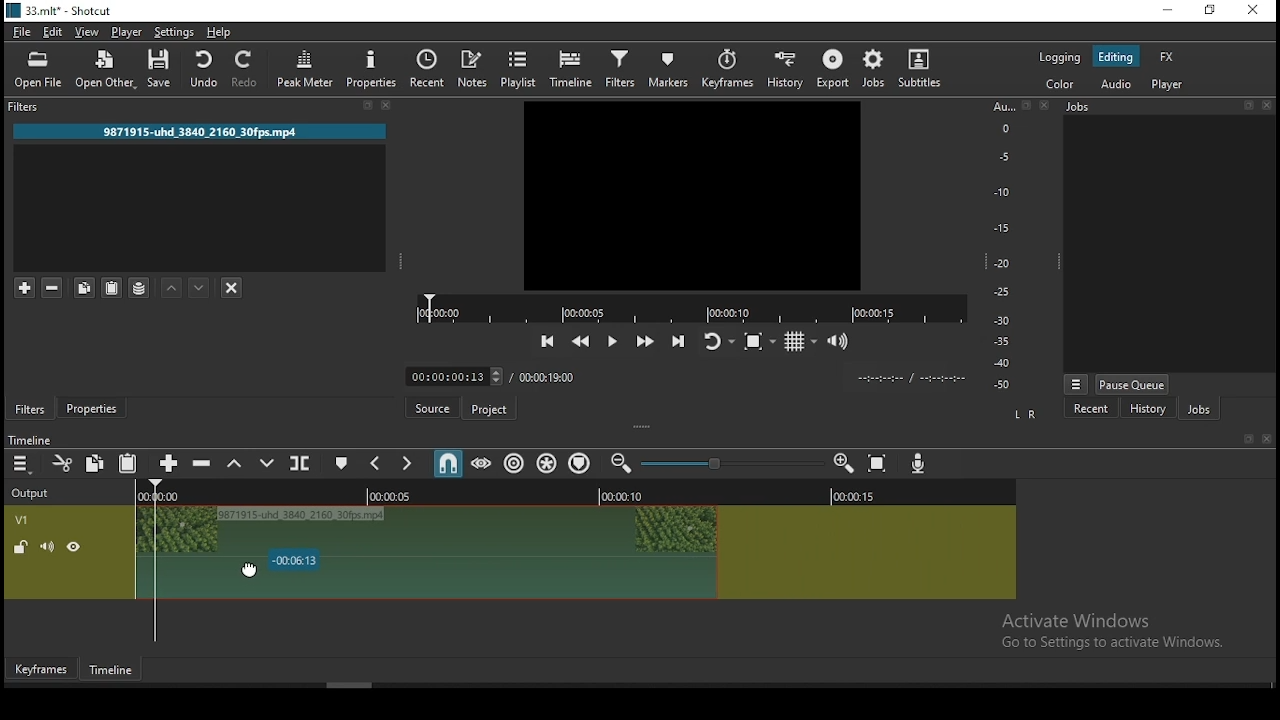 The image size is (1280, 720). I want to click on bookmark, so click(1024, 106).